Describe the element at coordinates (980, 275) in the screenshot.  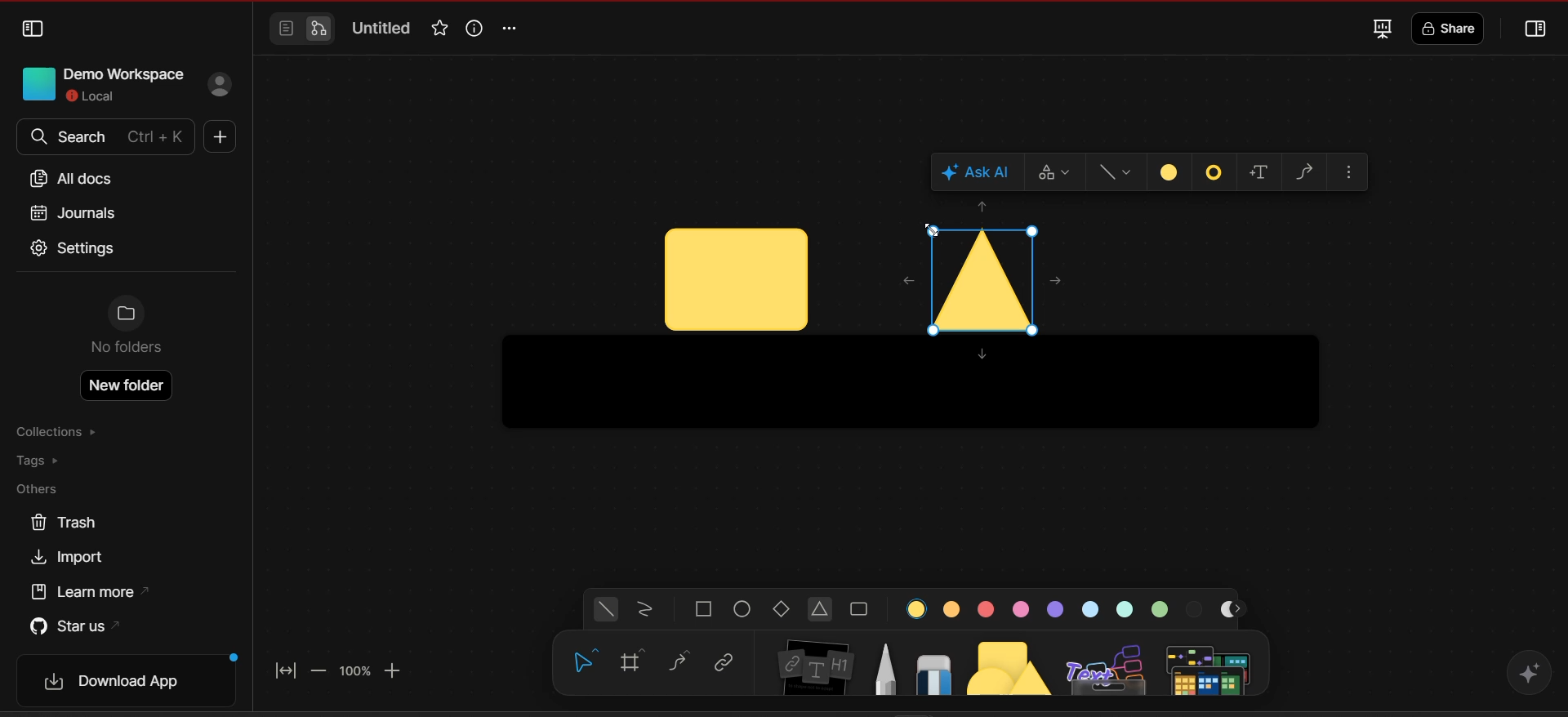
I see `cursor and shape current location` at that location.